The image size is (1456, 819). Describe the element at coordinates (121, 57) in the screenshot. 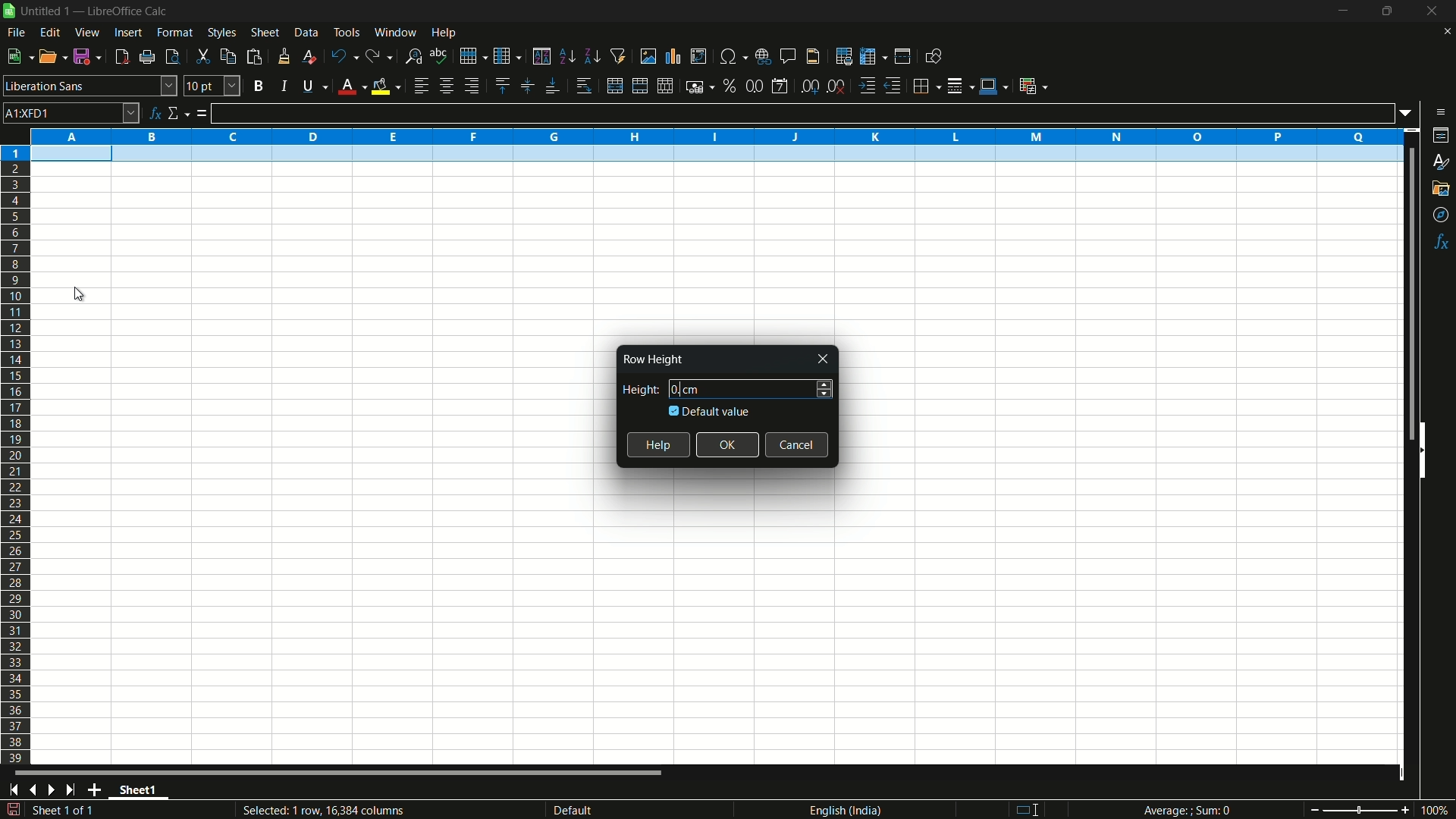

I see `export directly as pdf` at that location.